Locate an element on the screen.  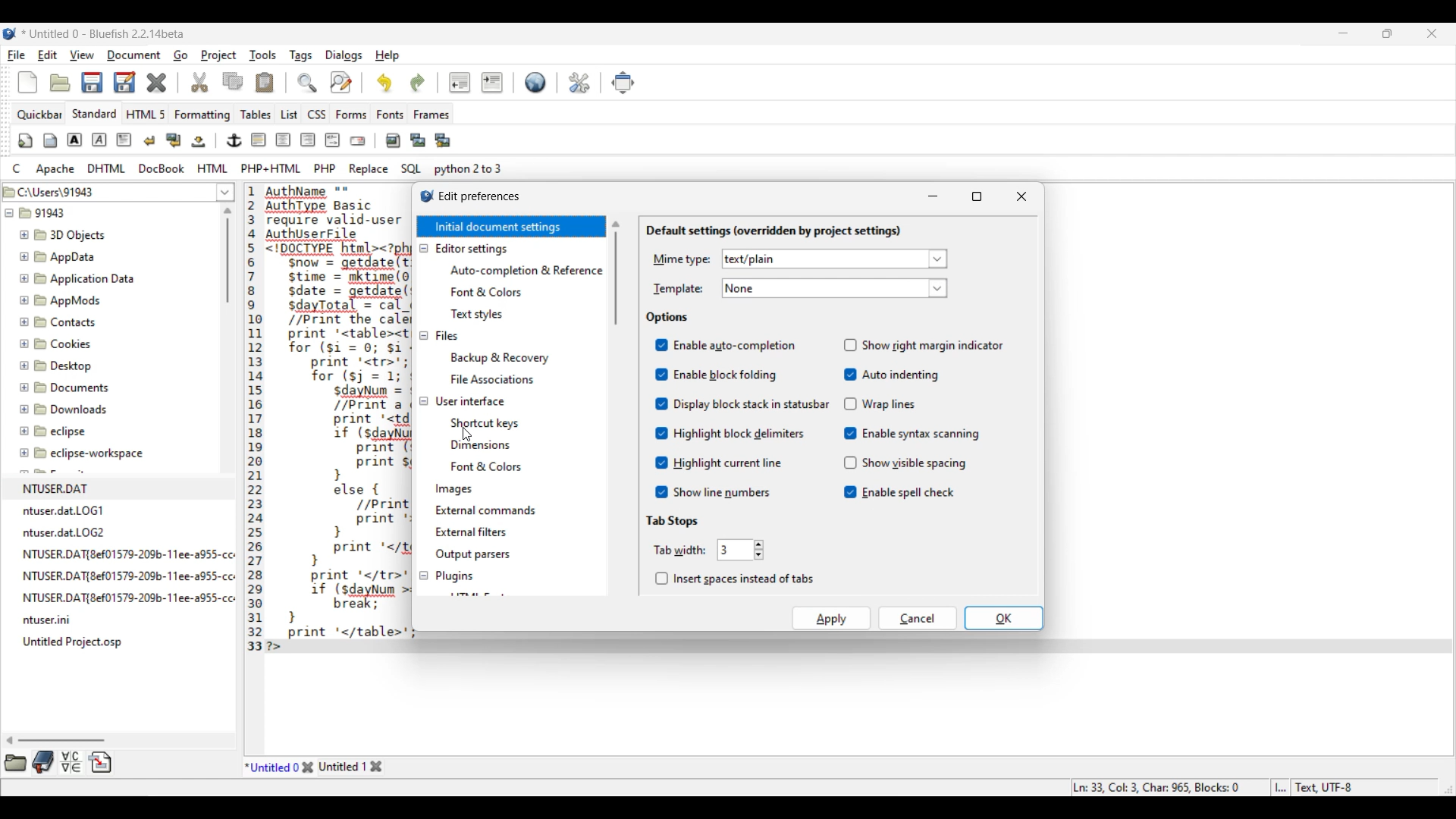
cursor is located at coordinates (460, 438).